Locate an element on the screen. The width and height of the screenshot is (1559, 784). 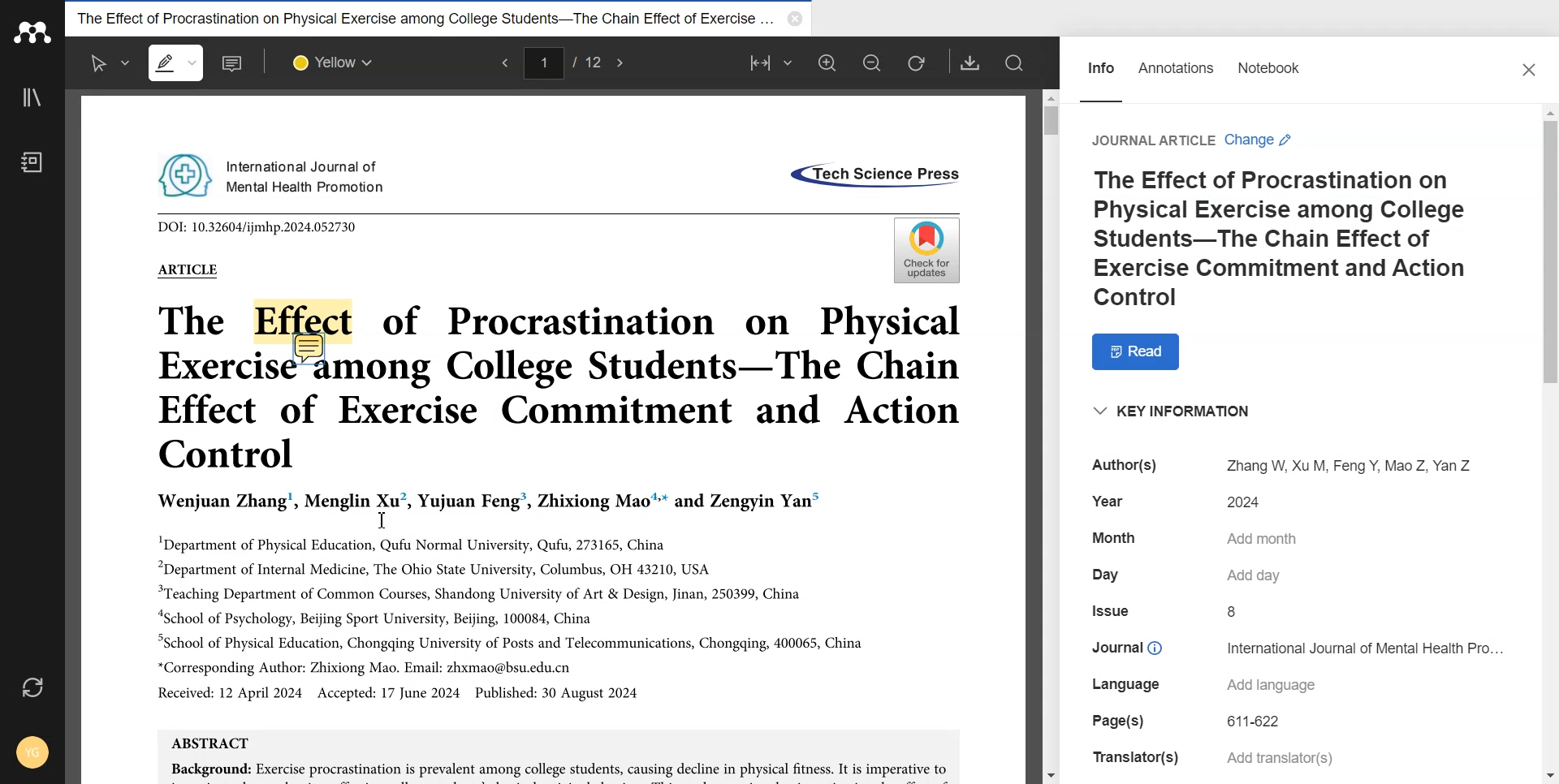
Language Add language is located at coordinates (1203, 686).